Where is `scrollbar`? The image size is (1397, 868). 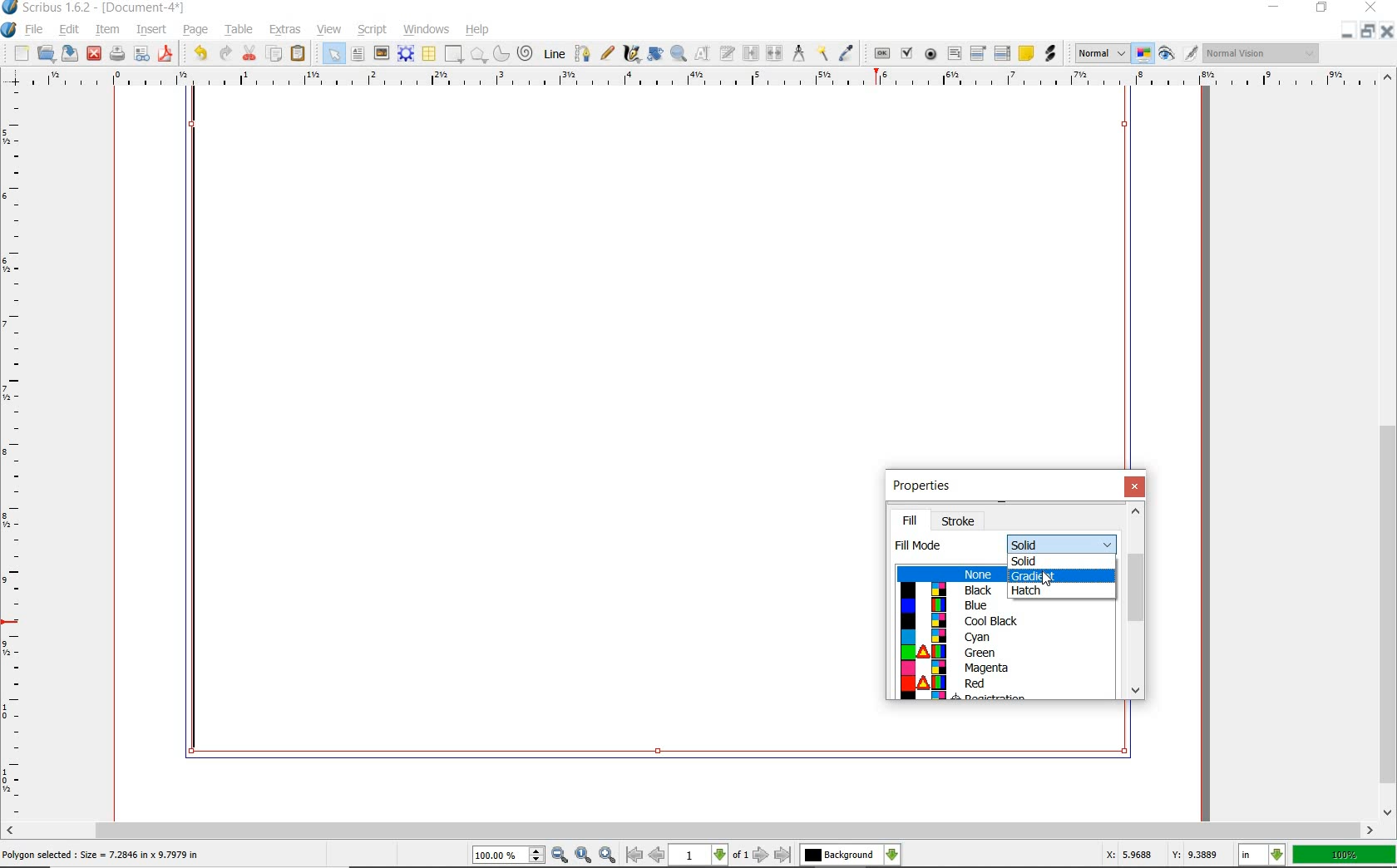 scrollbar is located at coordinates (690, 830).